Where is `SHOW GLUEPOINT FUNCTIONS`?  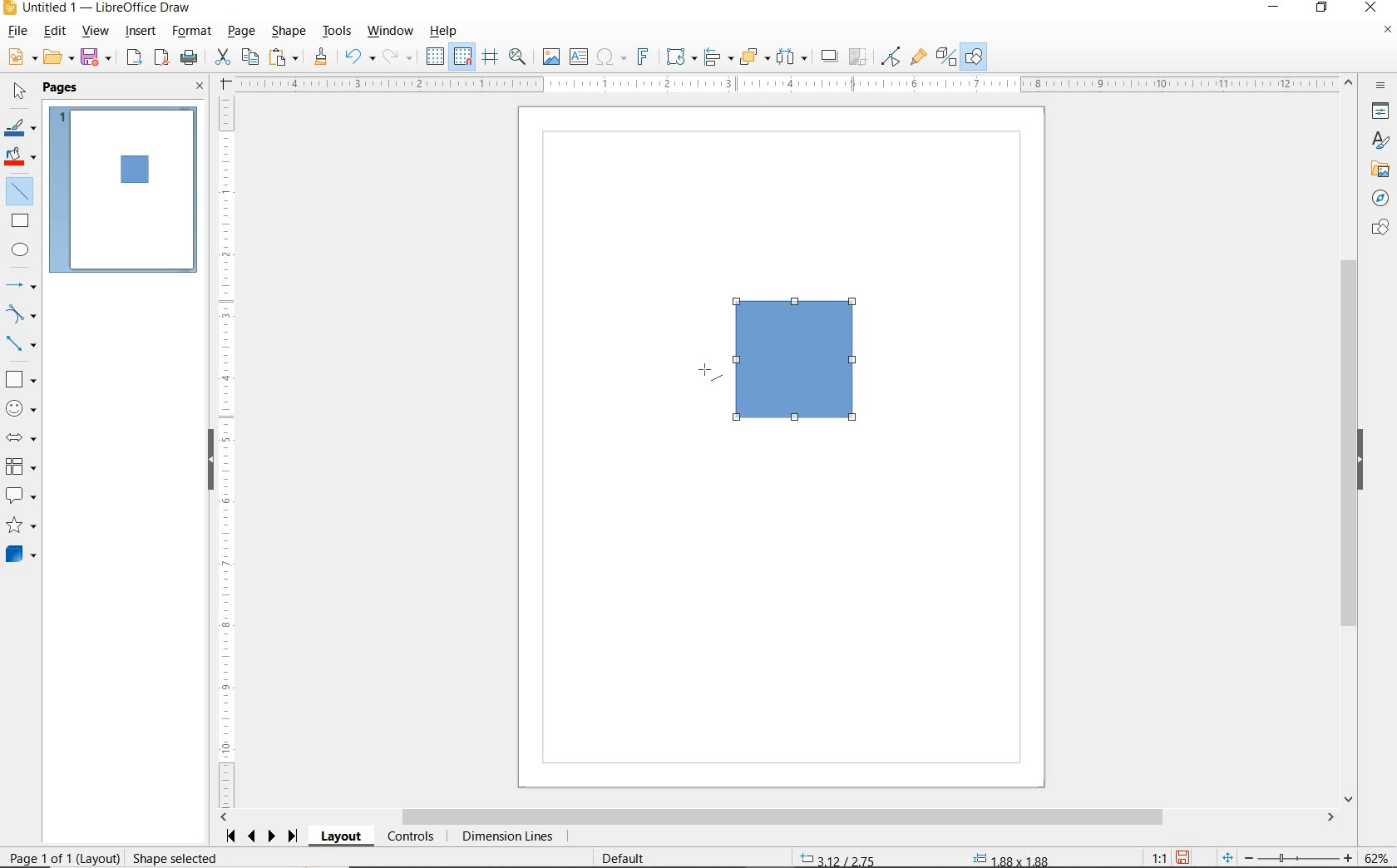
SHOW GLUEPOINT FUNCTIONS is located at coordinates (917, 56).